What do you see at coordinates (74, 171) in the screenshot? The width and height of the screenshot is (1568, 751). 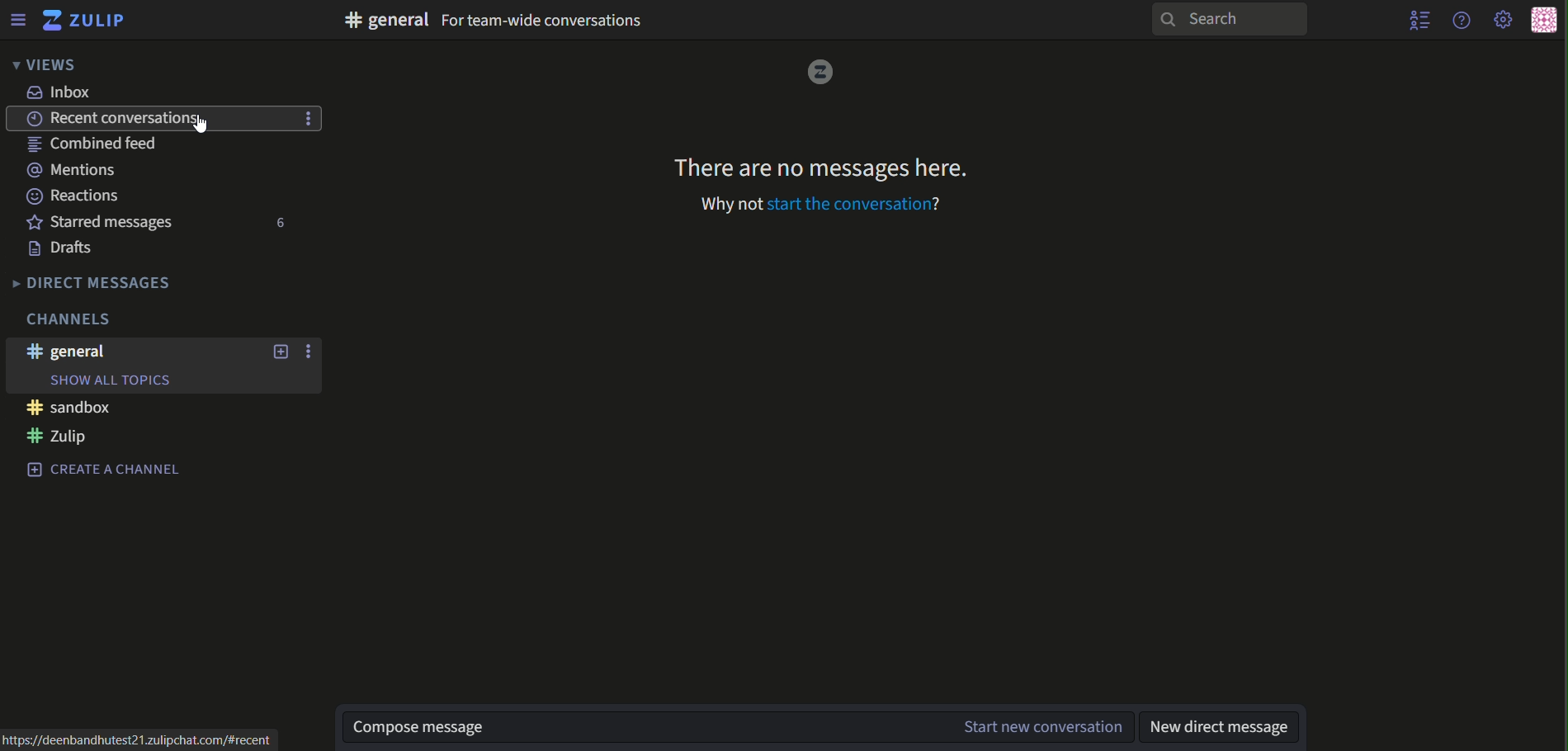 I see `text` at bounding box center [74, 171].